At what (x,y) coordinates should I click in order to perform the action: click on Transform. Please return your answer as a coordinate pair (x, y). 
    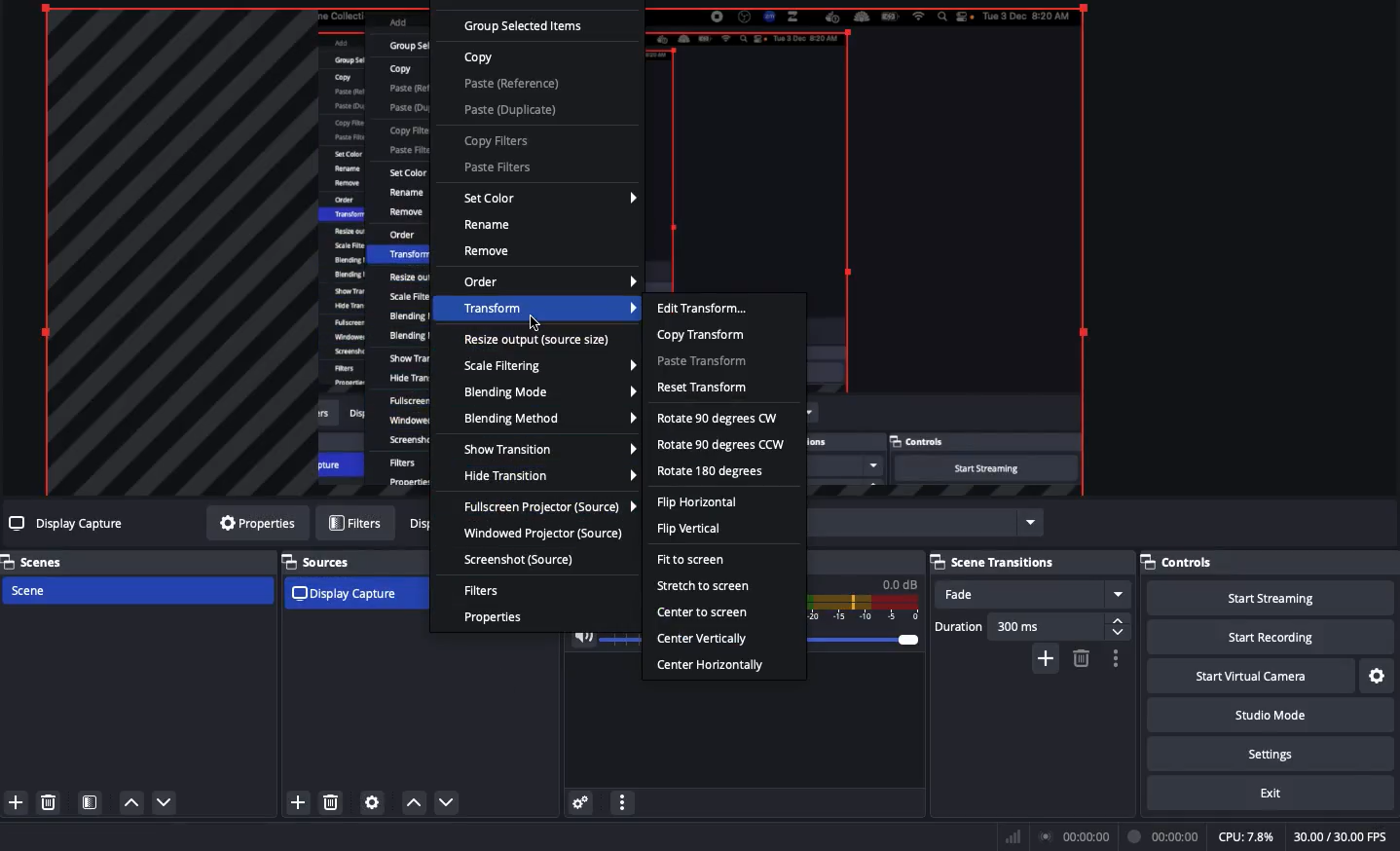
    Looking at the image, I should click on (549, 311).